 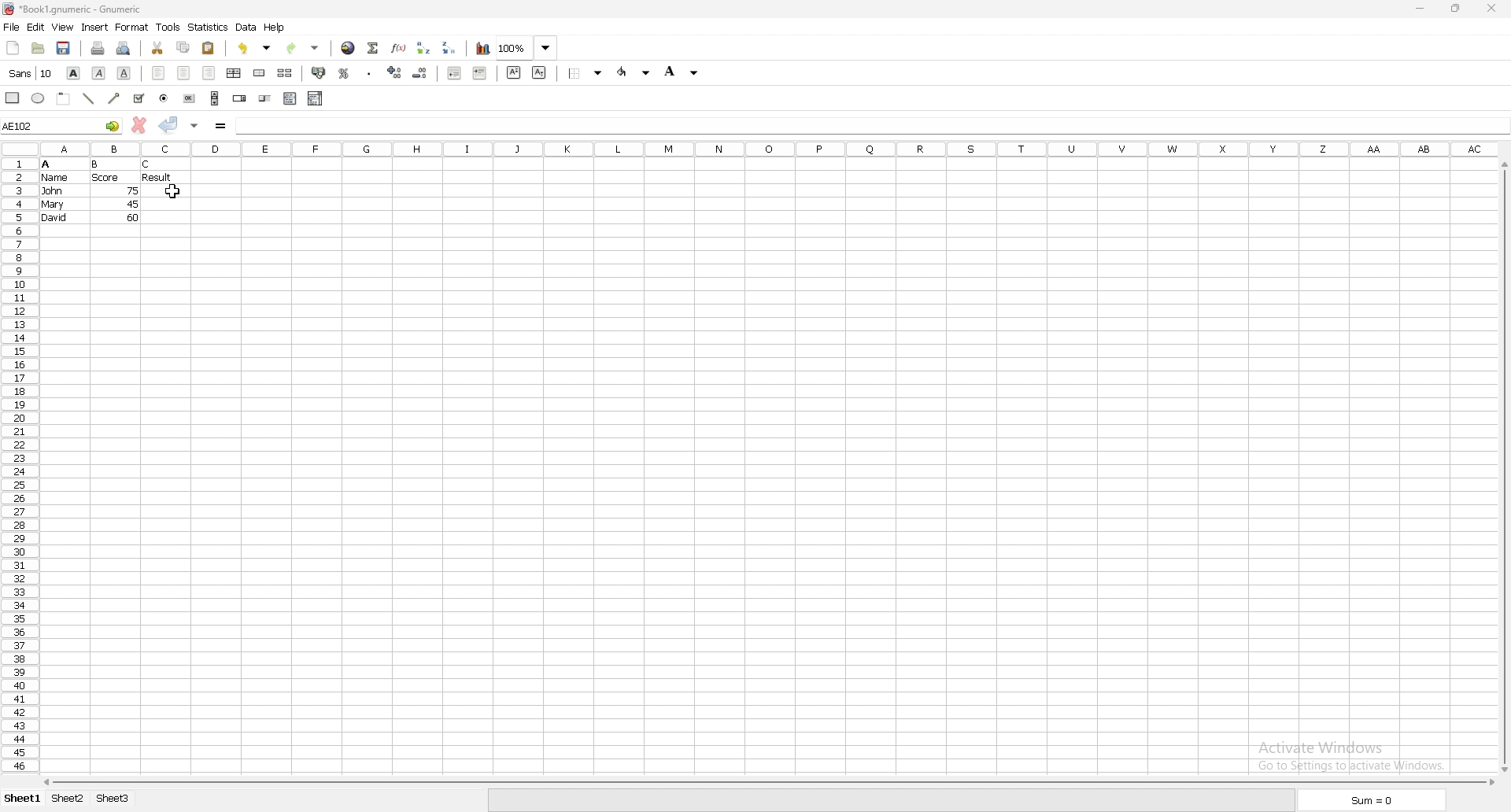 I want to click on superscript, so click(x=514, y=72).